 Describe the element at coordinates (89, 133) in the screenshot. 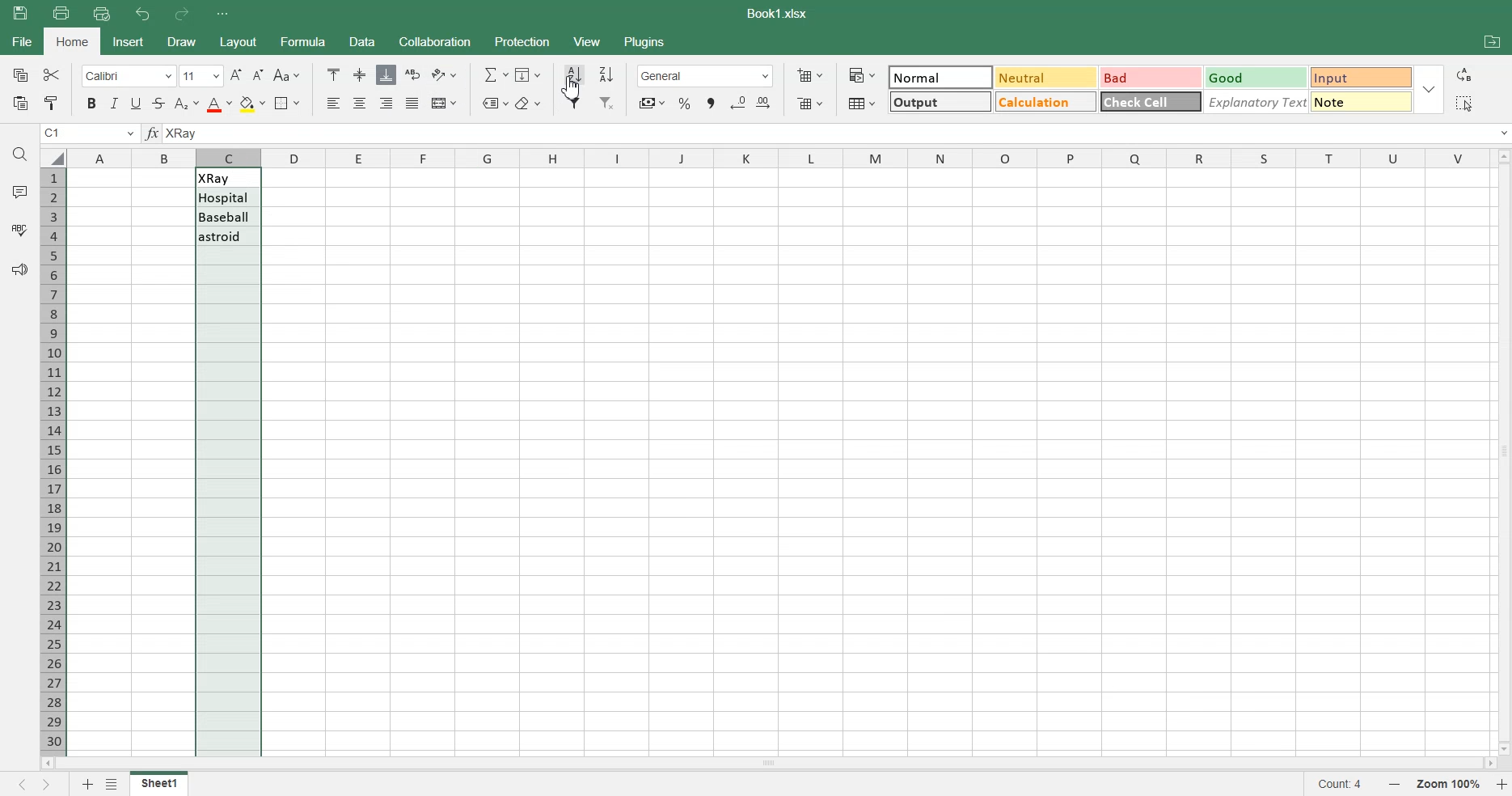

I see `Cell Name` at that location.